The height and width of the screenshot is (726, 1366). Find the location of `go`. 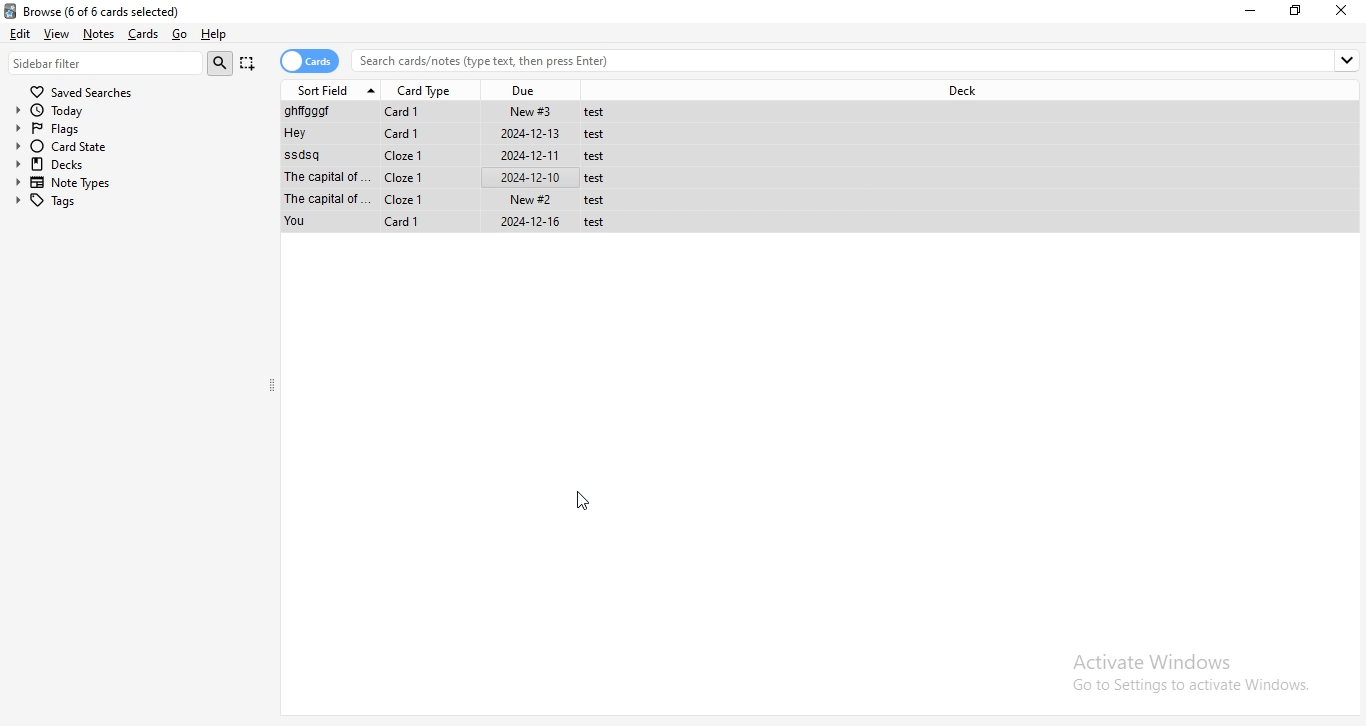

go is located at coordinates (180, 33).